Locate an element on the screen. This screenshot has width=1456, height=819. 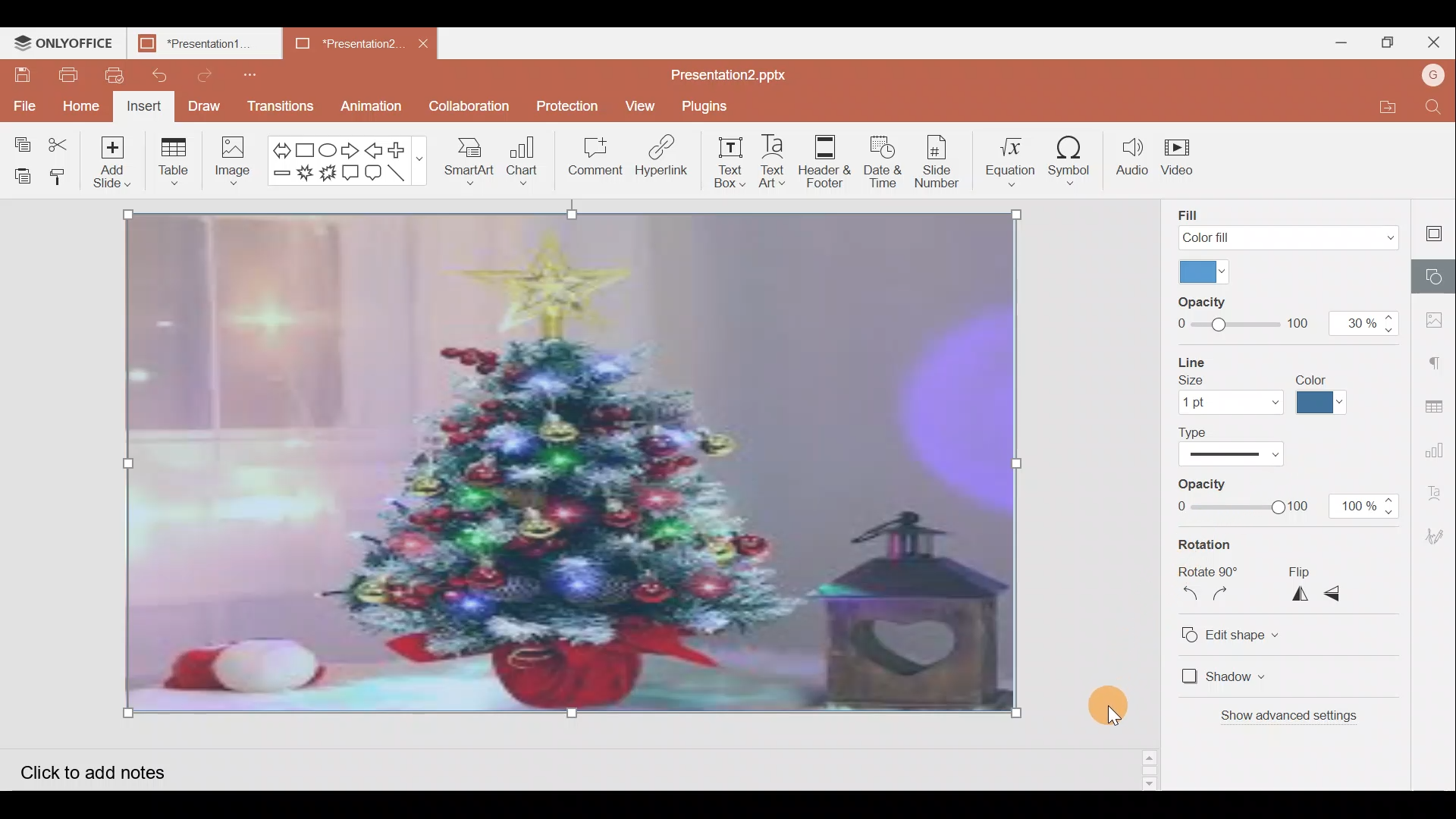
Add slide is located at coordinates (114, 162).